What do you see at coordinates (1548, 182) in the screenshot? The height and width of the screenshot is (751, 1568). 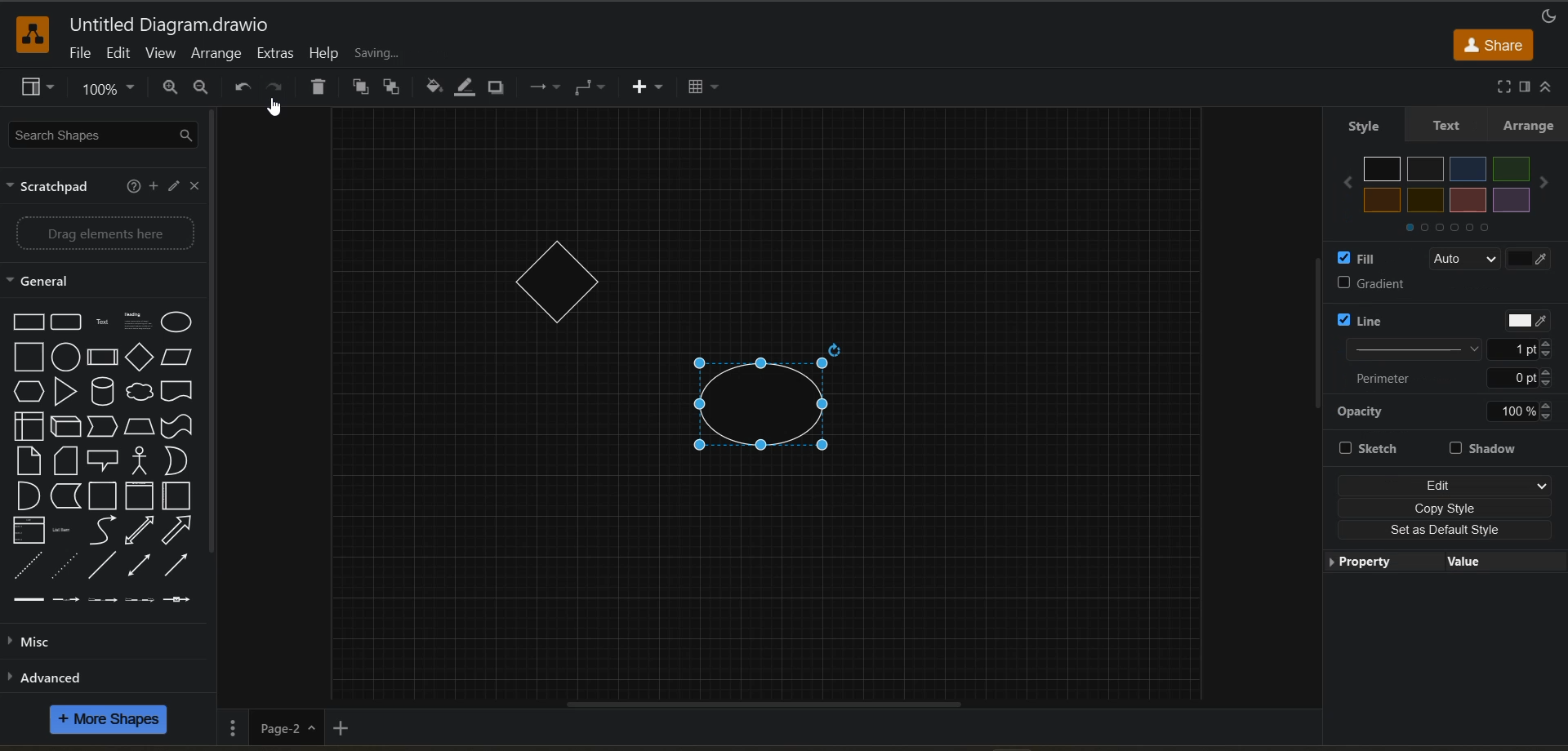 I see `next` at bounding box center [1548, 182].